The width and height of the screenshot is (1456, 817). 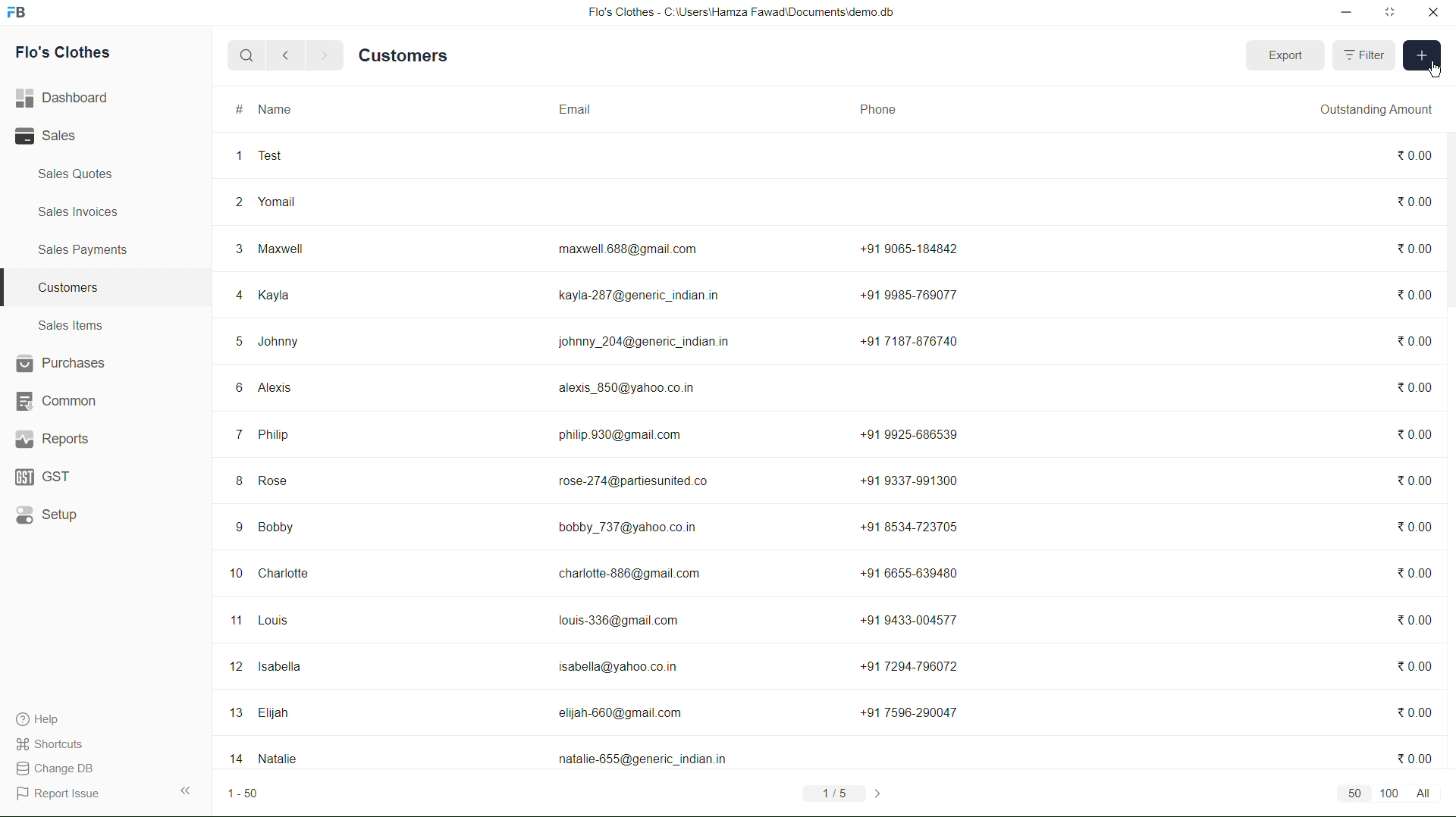 I want to click on 5, so click(x=237, y=341).